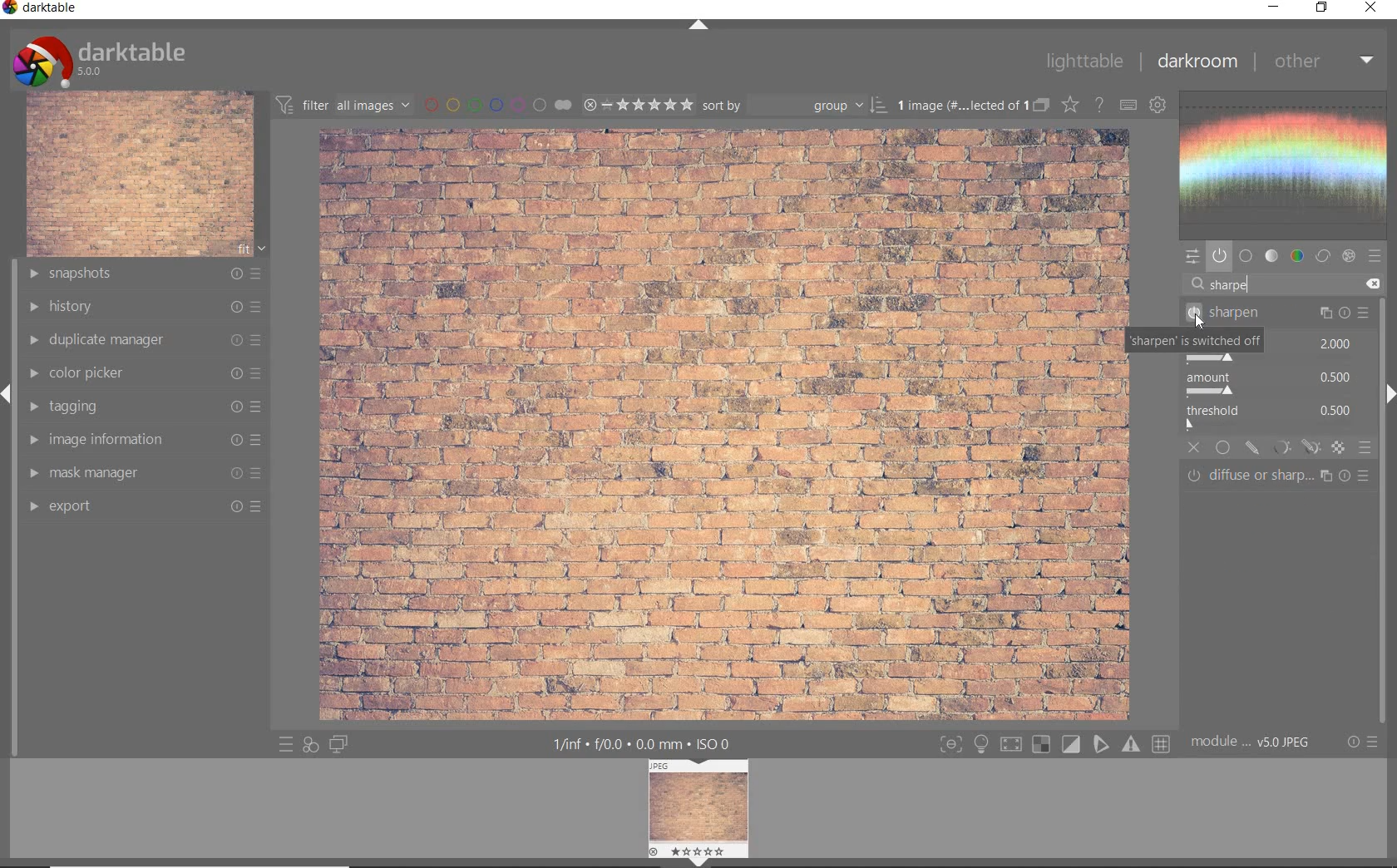 Image resolution: width=1397 pixels, height=868 pixels. I want to click on 1/inf f/0.0 0.0 mm ISO 0, so click(642, 743).